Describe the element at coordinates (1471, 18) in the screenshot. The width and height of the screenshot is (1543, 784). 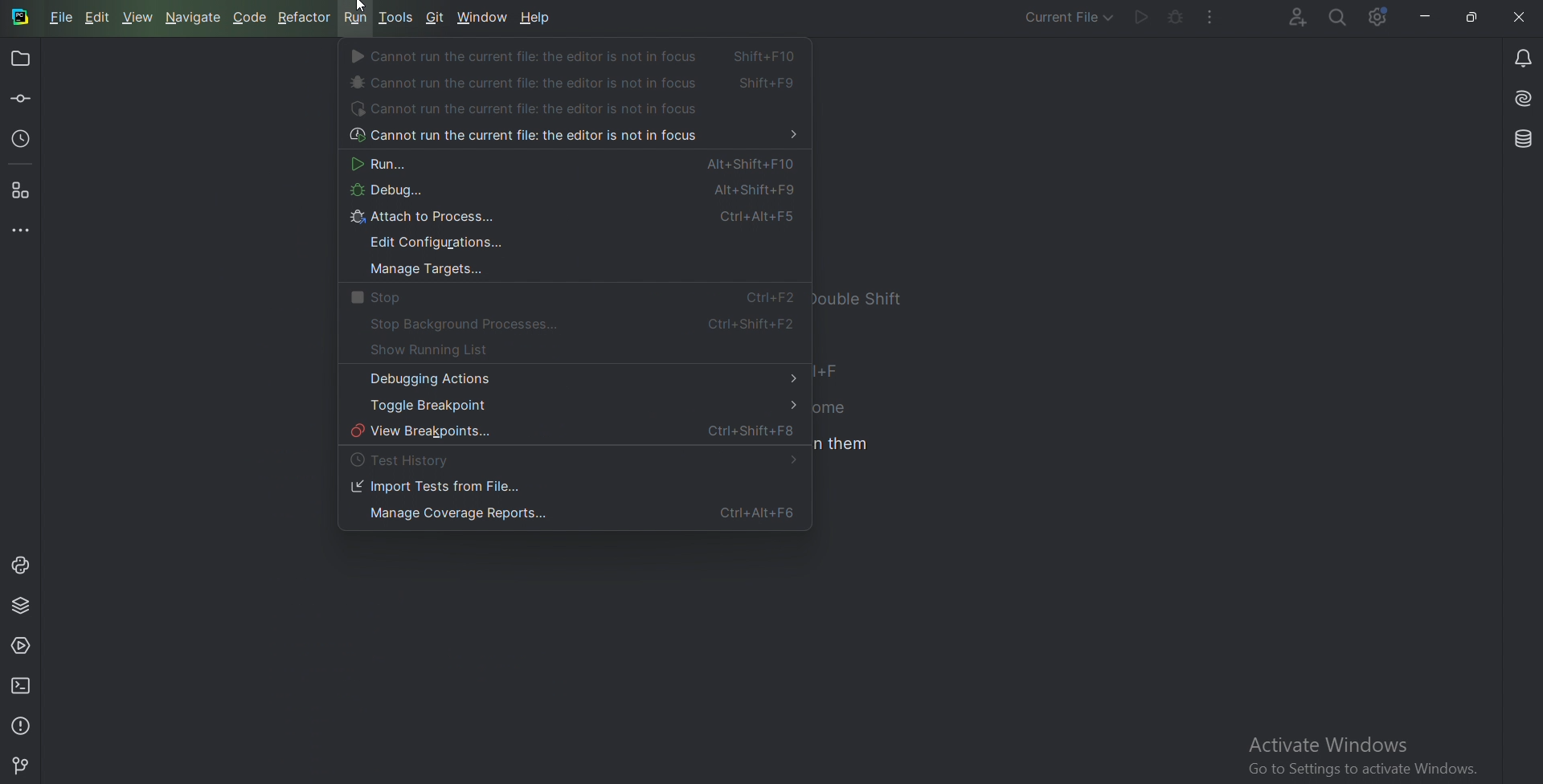
I see `Restore down` at that location.